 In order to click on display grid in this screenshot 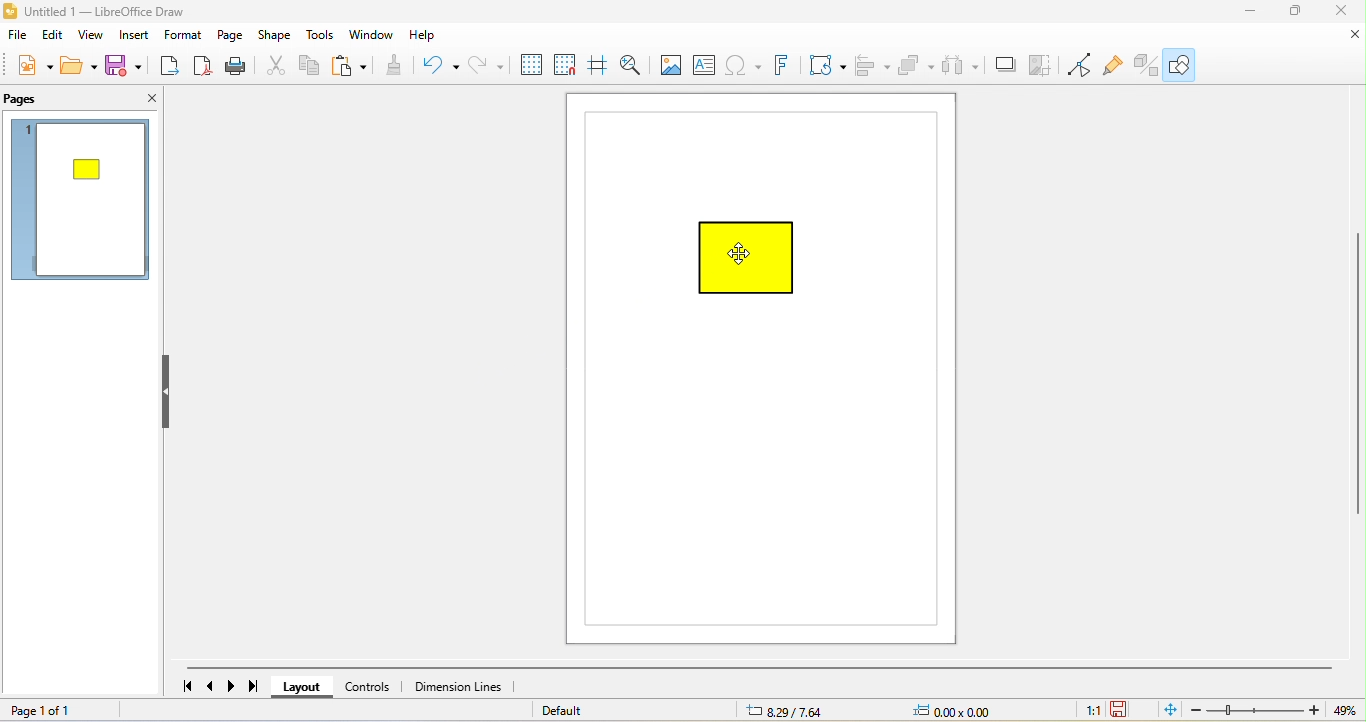, I will do `click(531, 63)`.